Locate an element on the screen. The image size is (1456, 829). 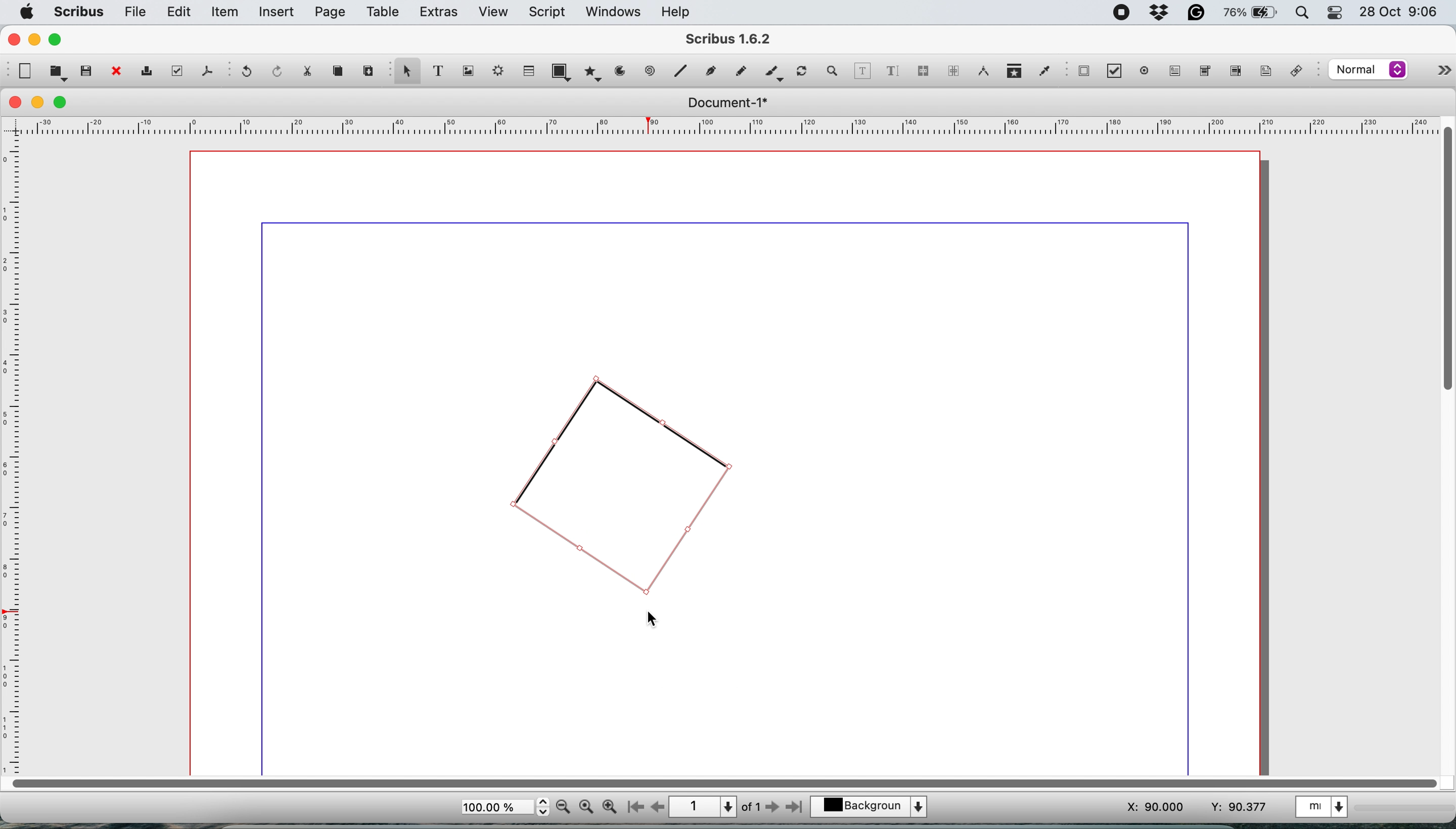
next page is located at coordinates (775, 809).